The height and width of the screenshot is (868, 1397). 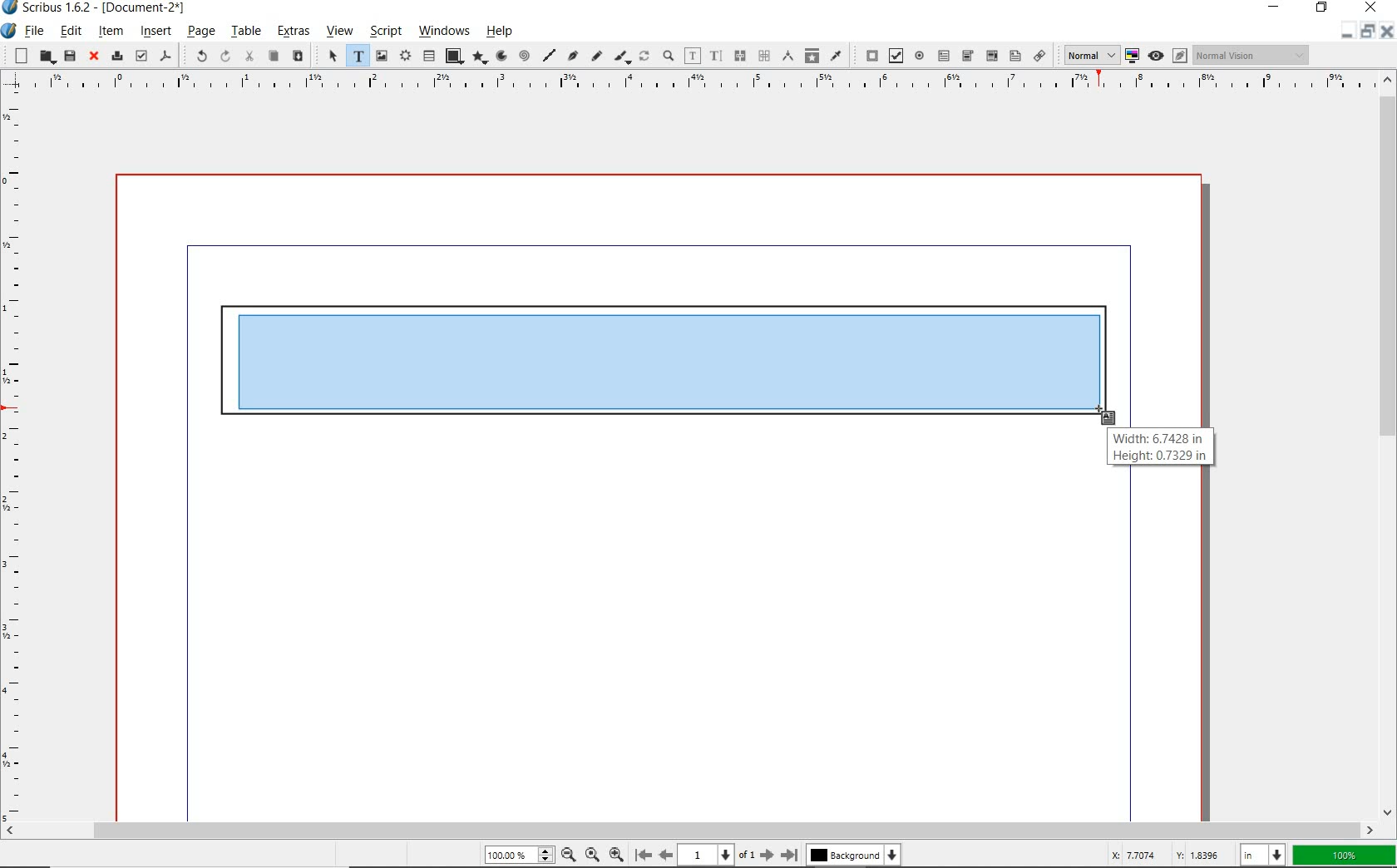 I want to click on link annotation, so click(x=1039, y=55).